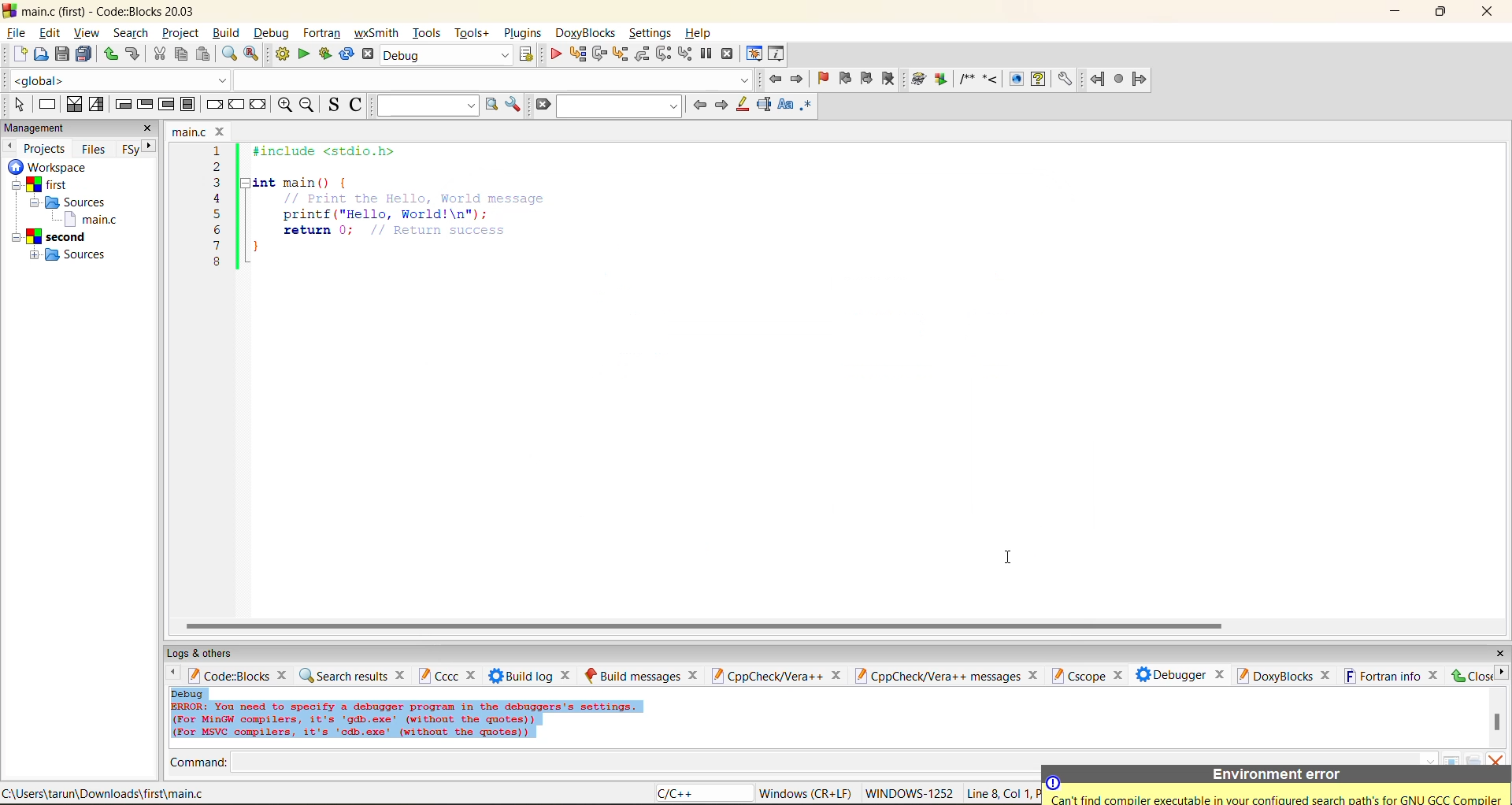  Describe the element at coordinates (1499, 654) in the screenshot. I see `close` at that location.